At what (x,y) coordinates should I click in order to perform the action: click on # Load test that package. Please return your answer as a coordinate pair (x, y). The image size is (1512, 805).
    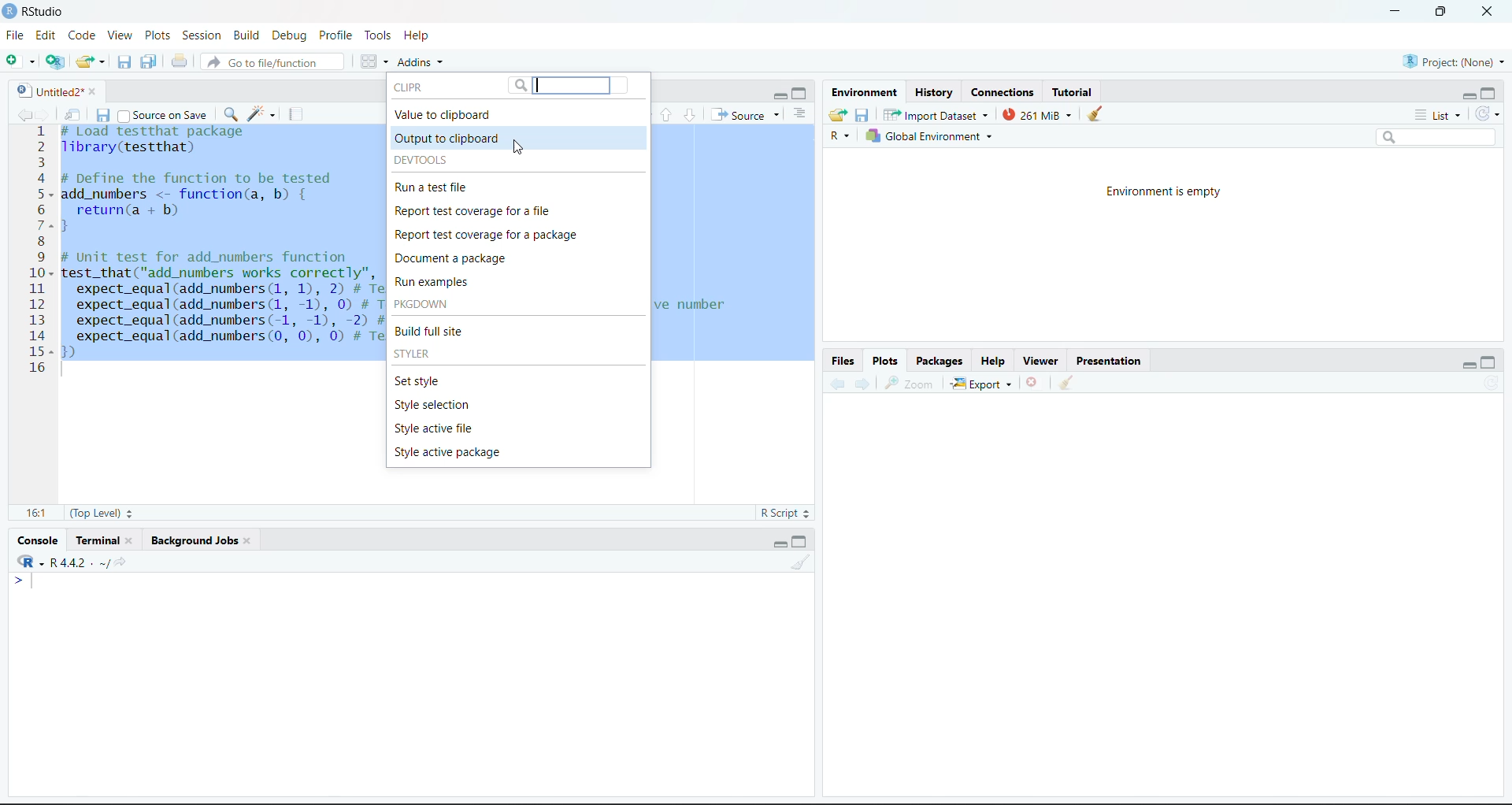
    Looking at the image, I should click on (153, 131).